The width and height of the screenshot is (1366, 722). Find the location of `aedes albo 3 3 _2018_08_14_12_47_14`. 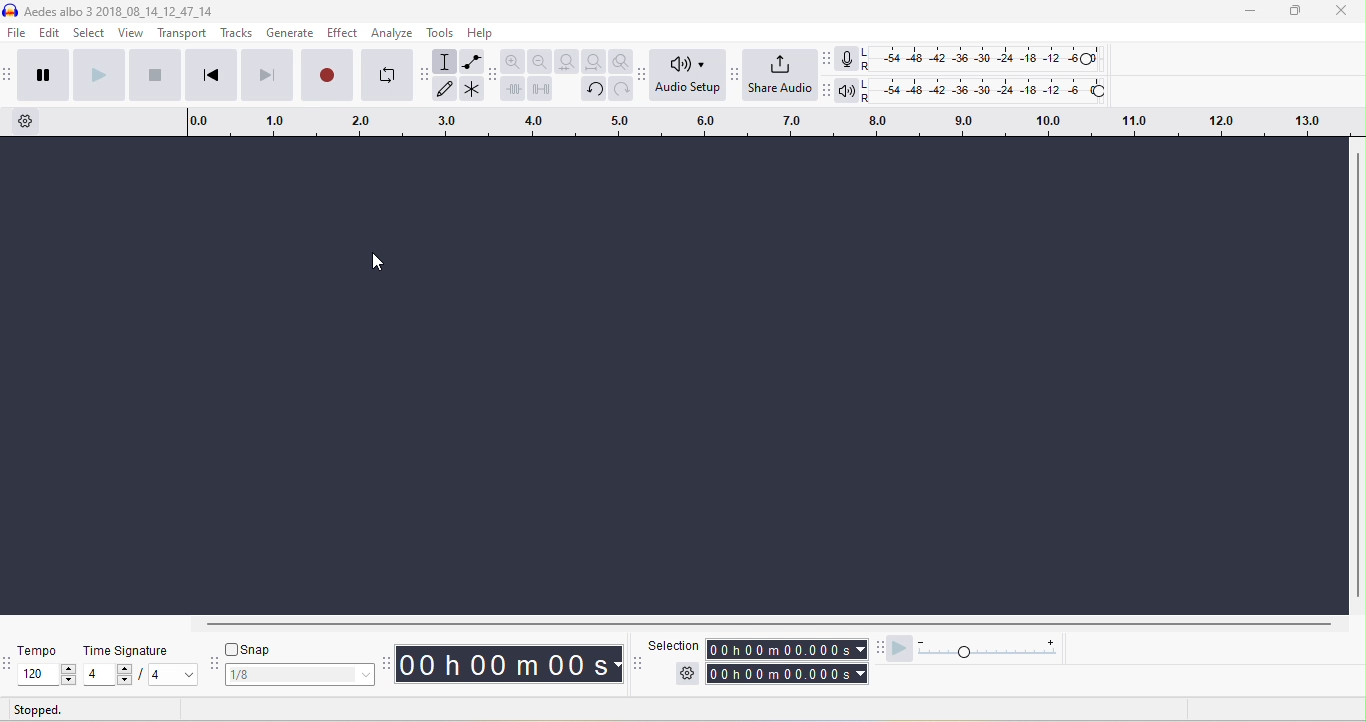

aedes albo 3 3 _2018_08_14_12_47_14 is located at coordinates (109, 11).